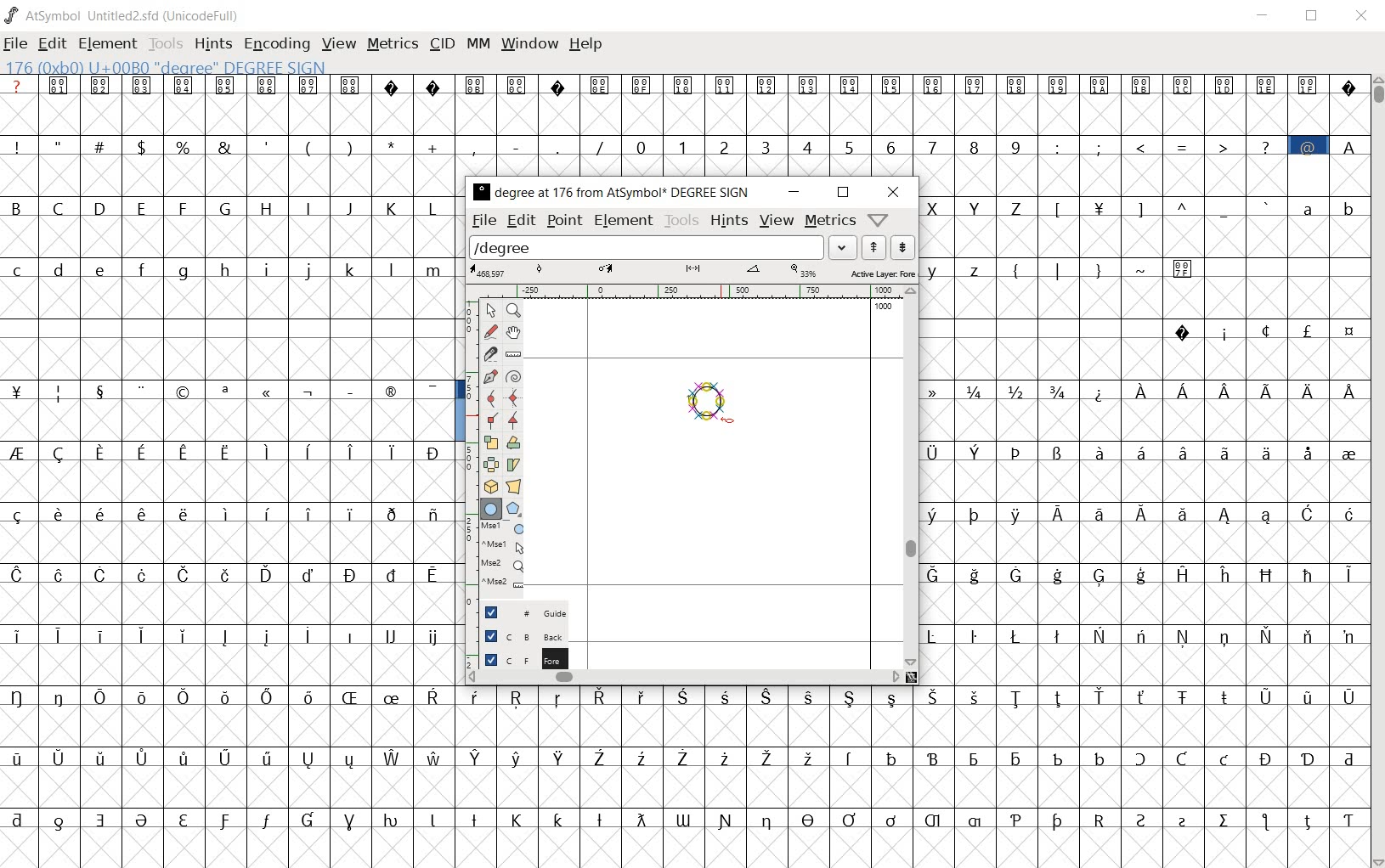 The image size is (1385, 868). Describe the element at coordinates (221, 270) in the screenshot. I see `small letters c - m` at that location.